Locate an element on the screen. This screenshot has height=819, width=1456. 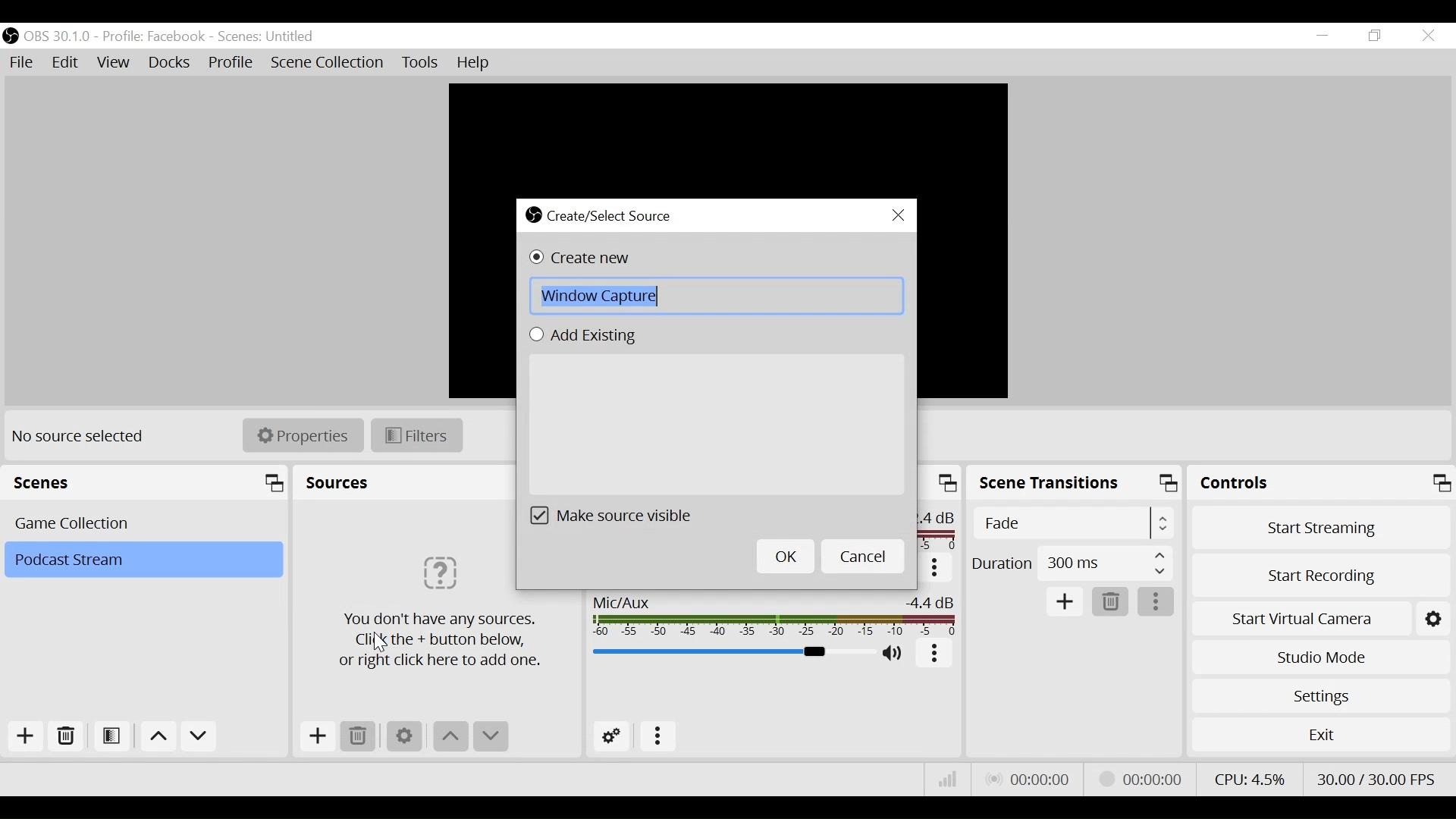
View is located at coordinates (115, 63).